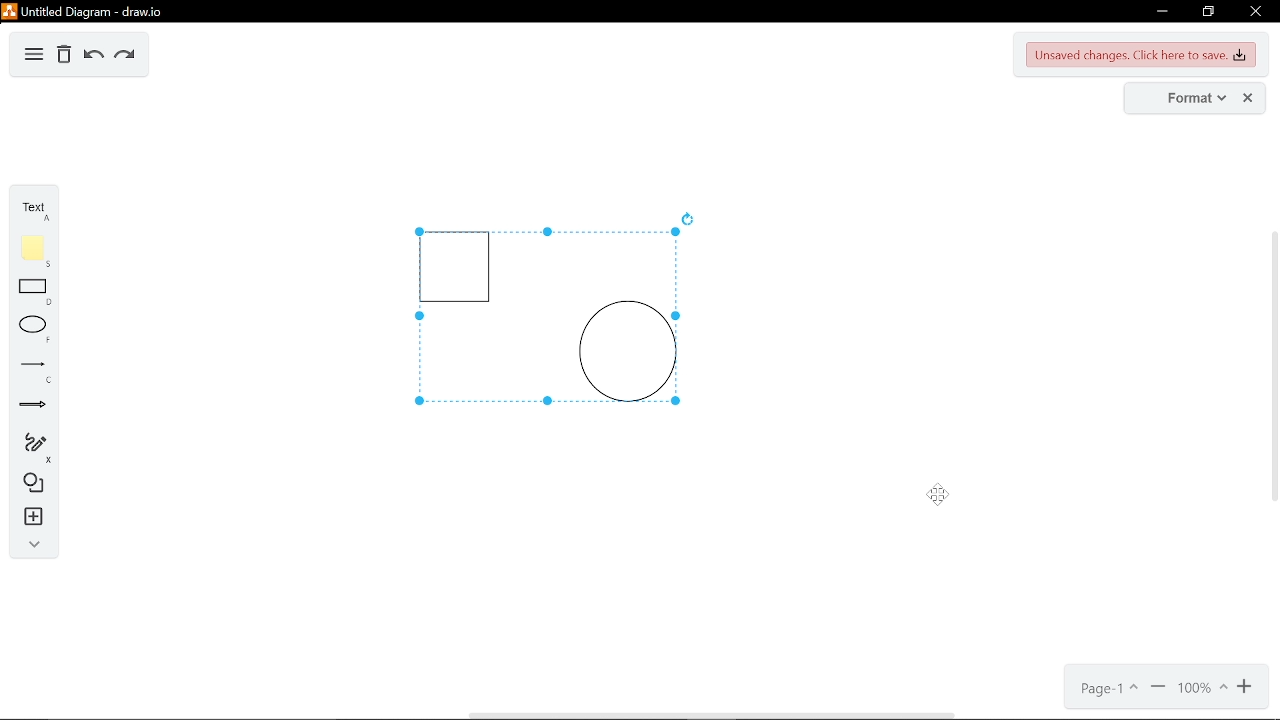 This screenshot has height=720, width=1280. I want to click on horizontal scrollbar, so click(710, 715).